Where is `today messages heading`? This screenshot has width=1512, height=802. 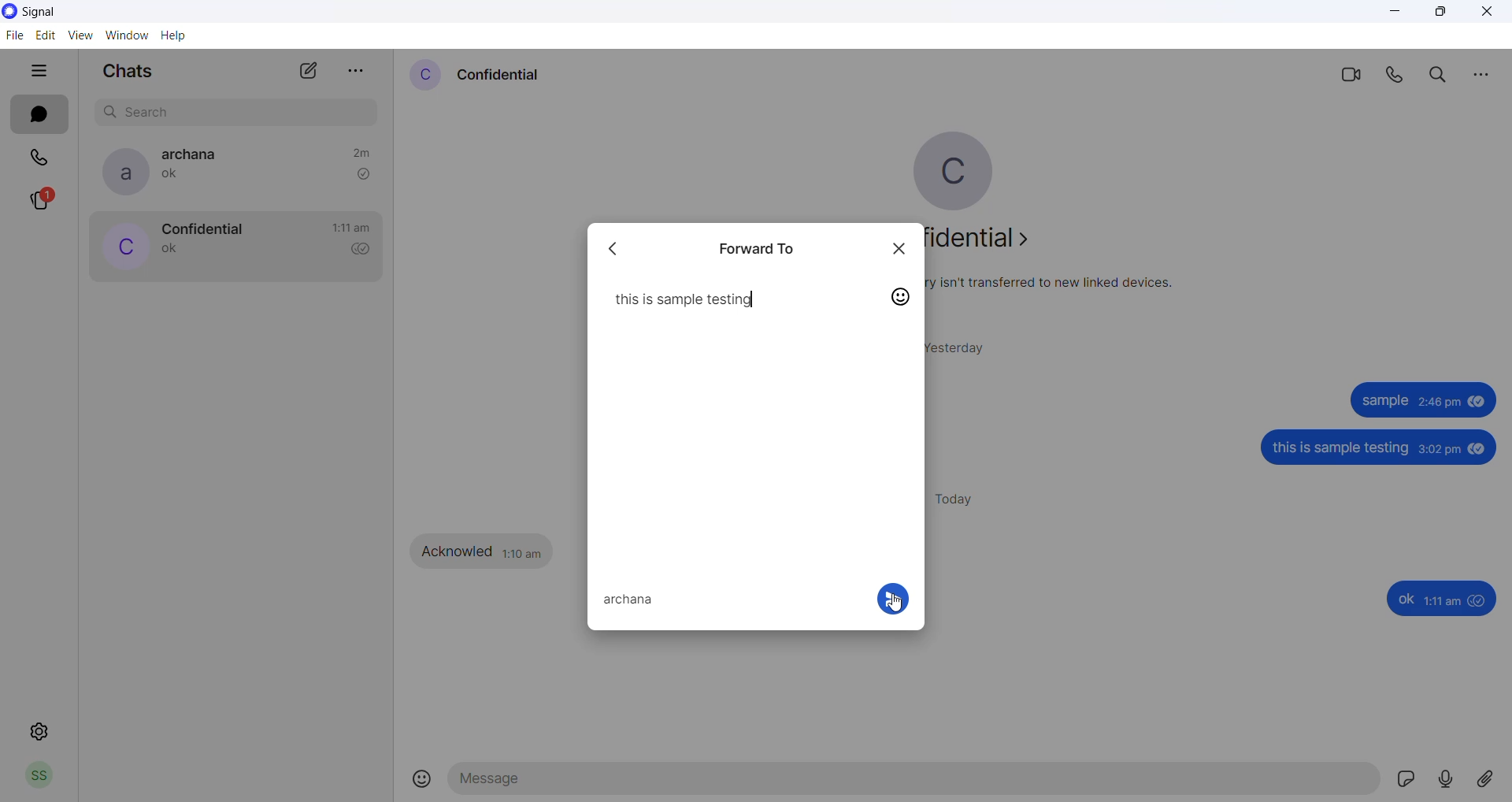 today messages heading is located at coordinates (963, 497).